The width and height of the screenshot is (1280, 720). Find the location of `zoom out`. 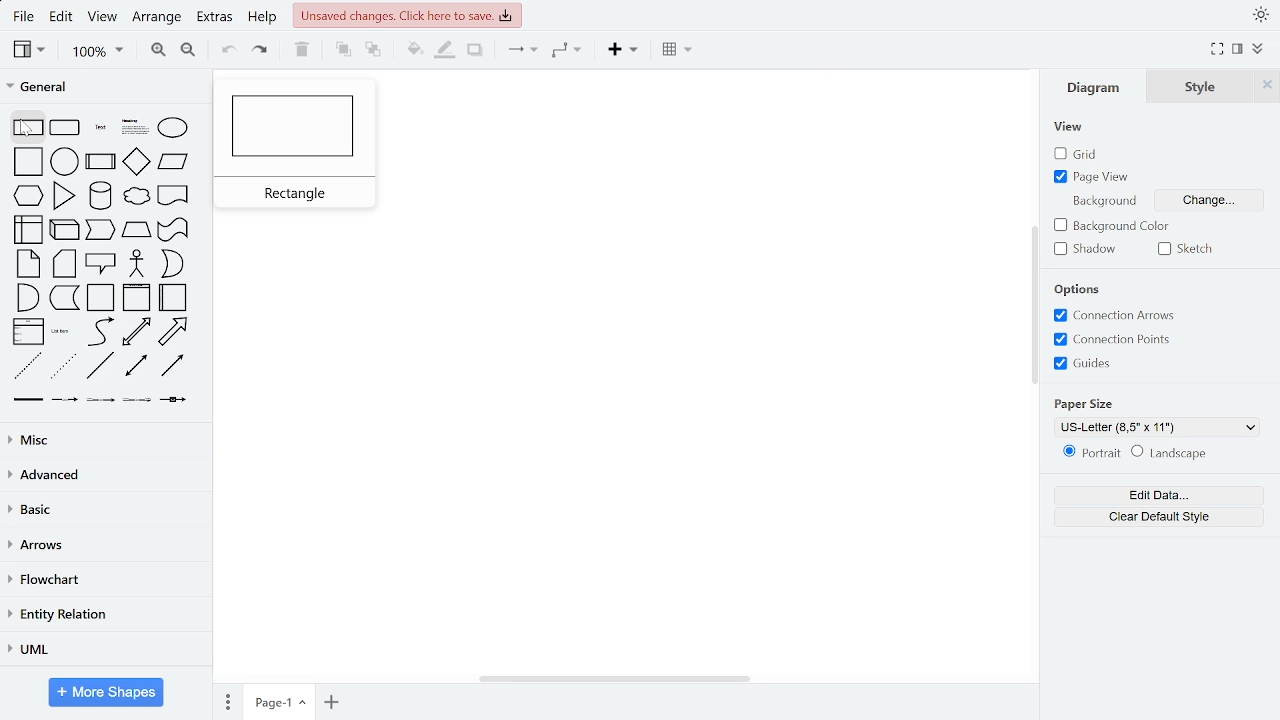

zoom out is located at coordinates (190, 53).